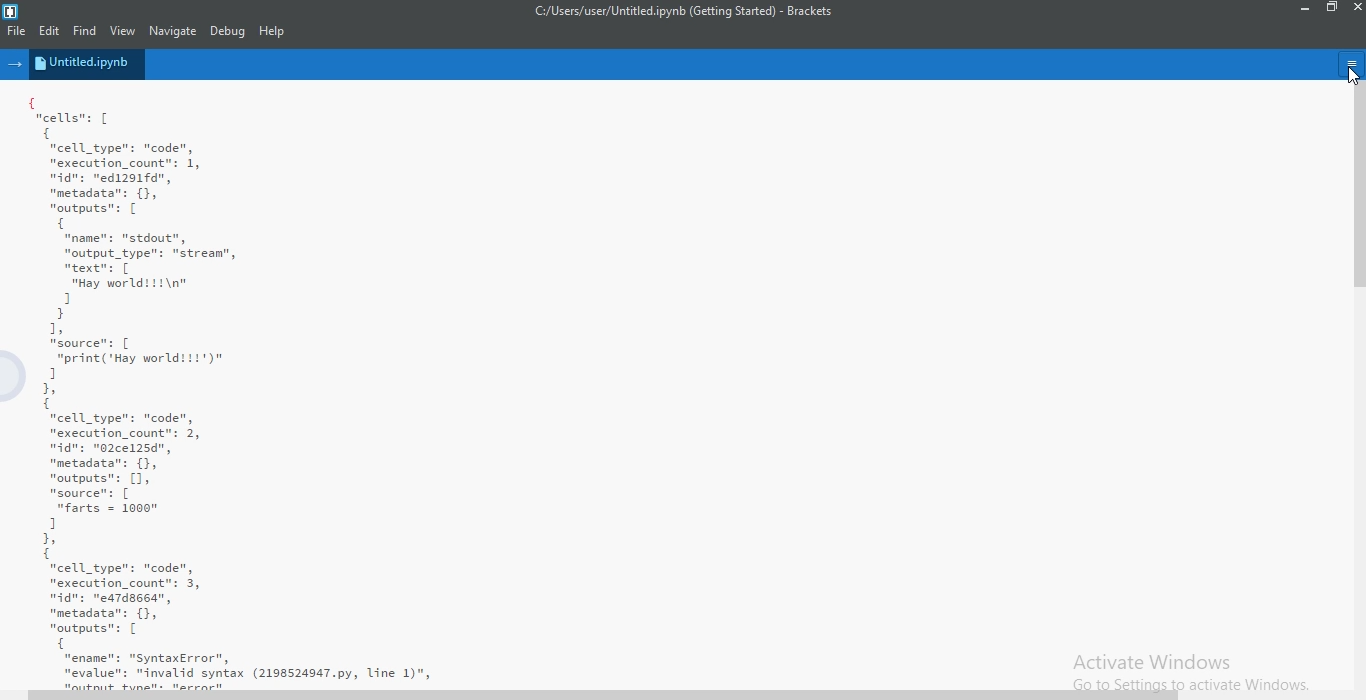  I want to click on Edit, so click(53, 31).